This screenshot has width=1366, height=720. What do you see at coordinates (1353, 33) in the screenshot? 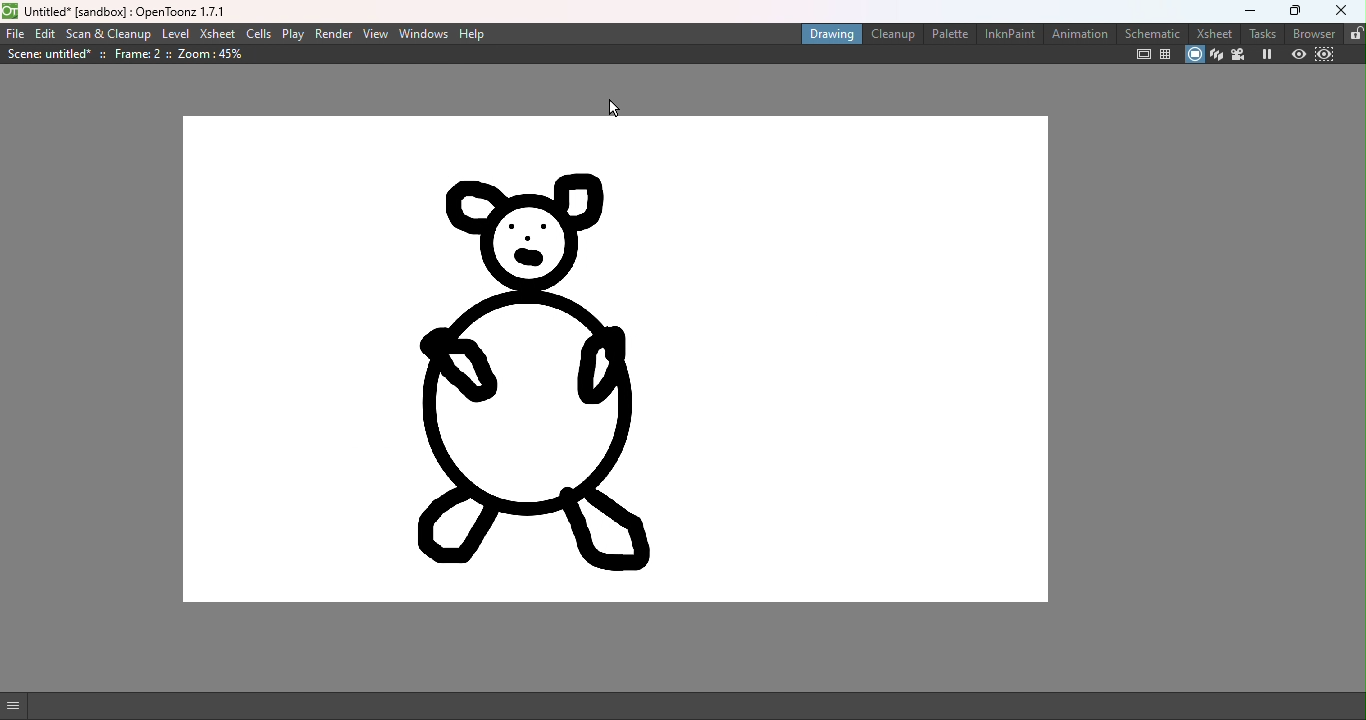
I see `lock rooms tab` at bounding box center [1353, 33].